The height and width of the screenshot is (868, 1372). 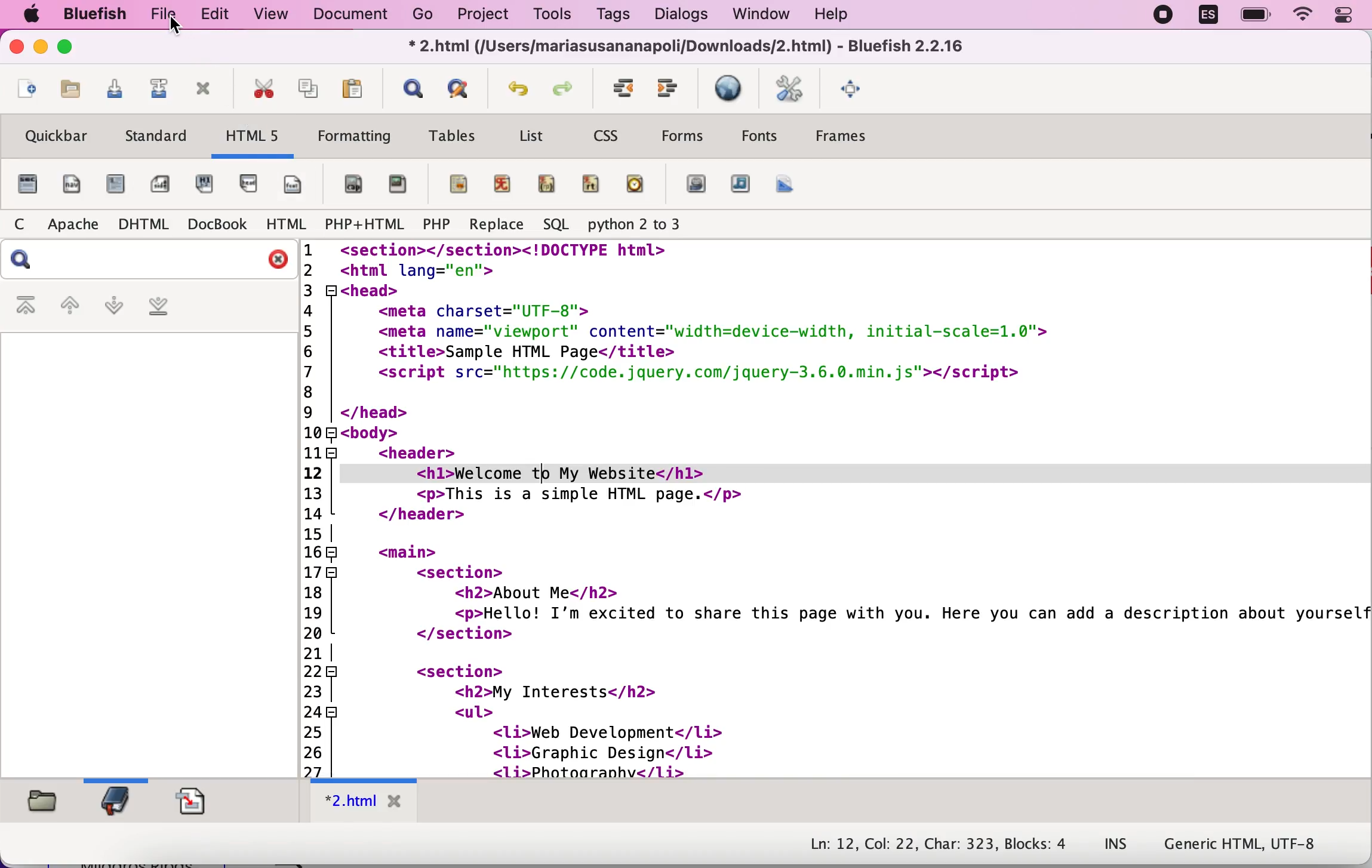 I want to click on copy, so click(x=304, y=88).